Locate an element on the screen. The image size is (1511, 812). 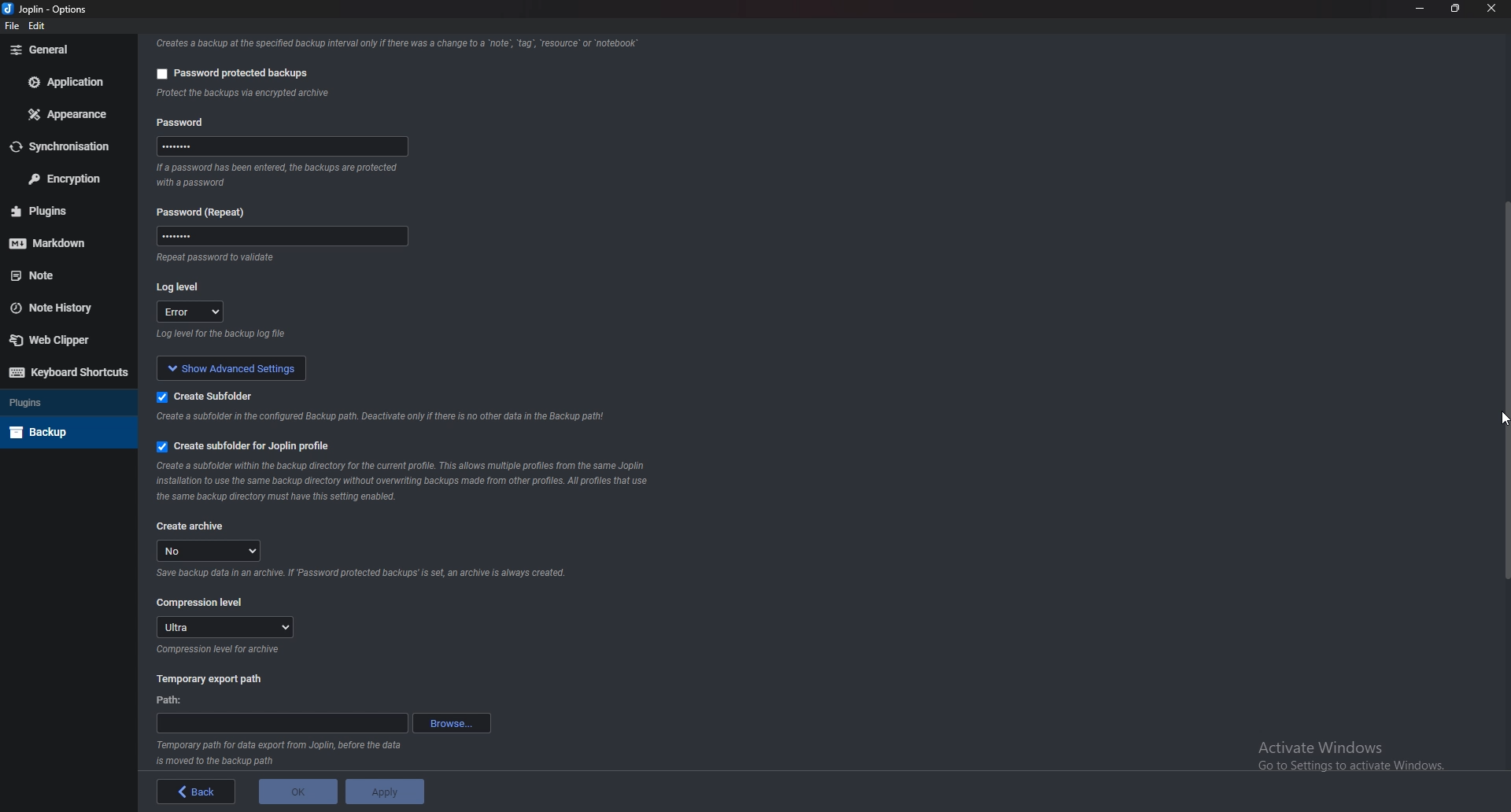
Note history is located at coordinates (65, 308).